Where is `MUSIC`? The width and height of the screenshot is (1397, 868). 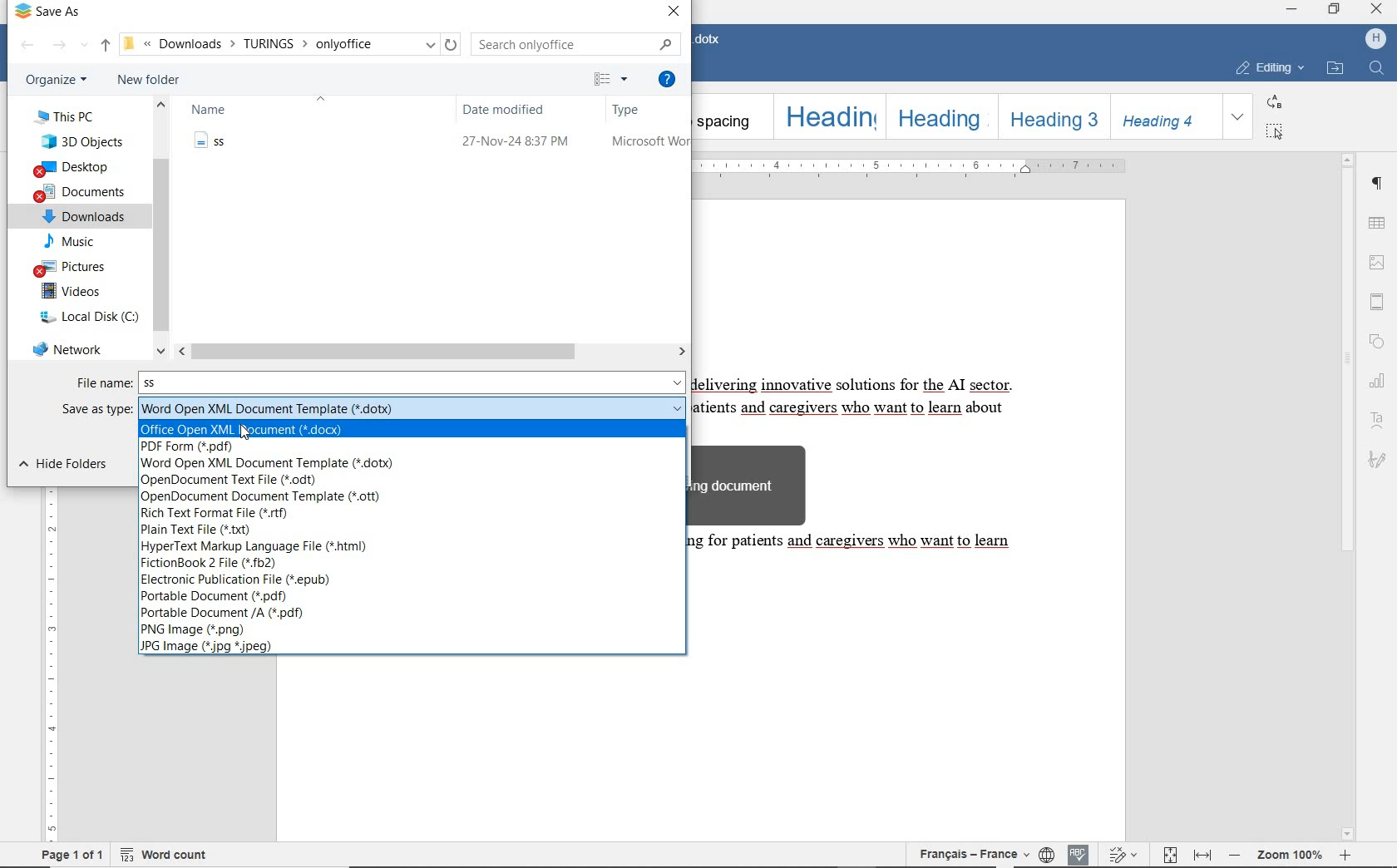
MUSIC is located at coordinates (80, 241).